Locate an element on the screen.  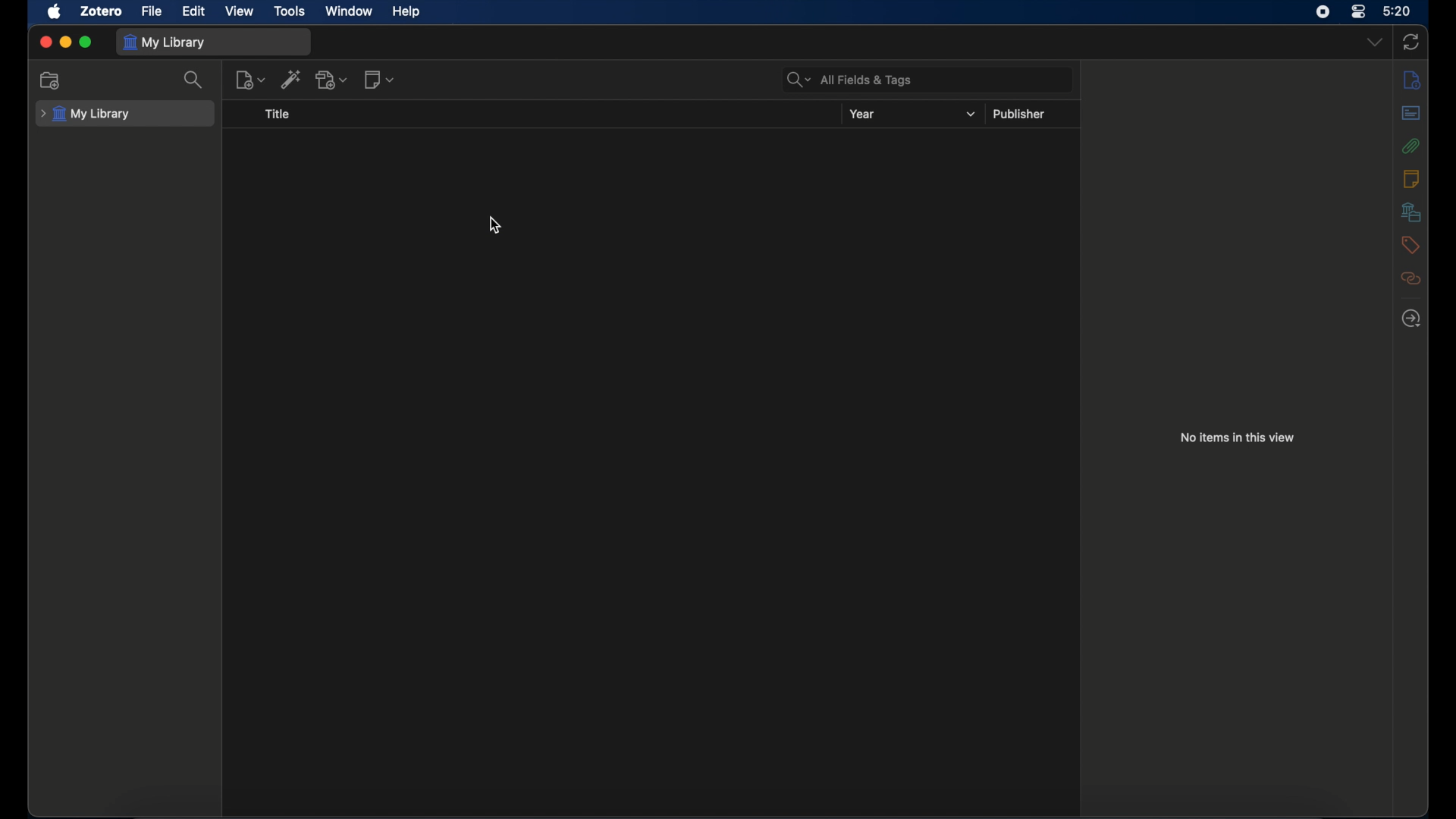
info is located at coordinates (1412, 80).